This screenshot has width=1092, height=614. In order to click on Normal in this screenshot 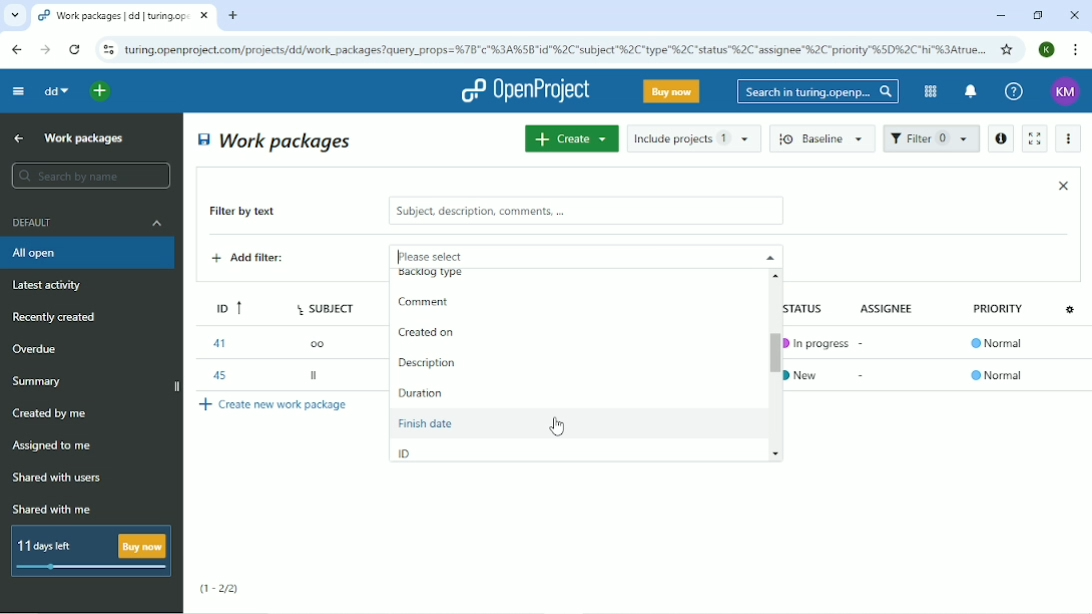, I will do `click(1000, 345)`.